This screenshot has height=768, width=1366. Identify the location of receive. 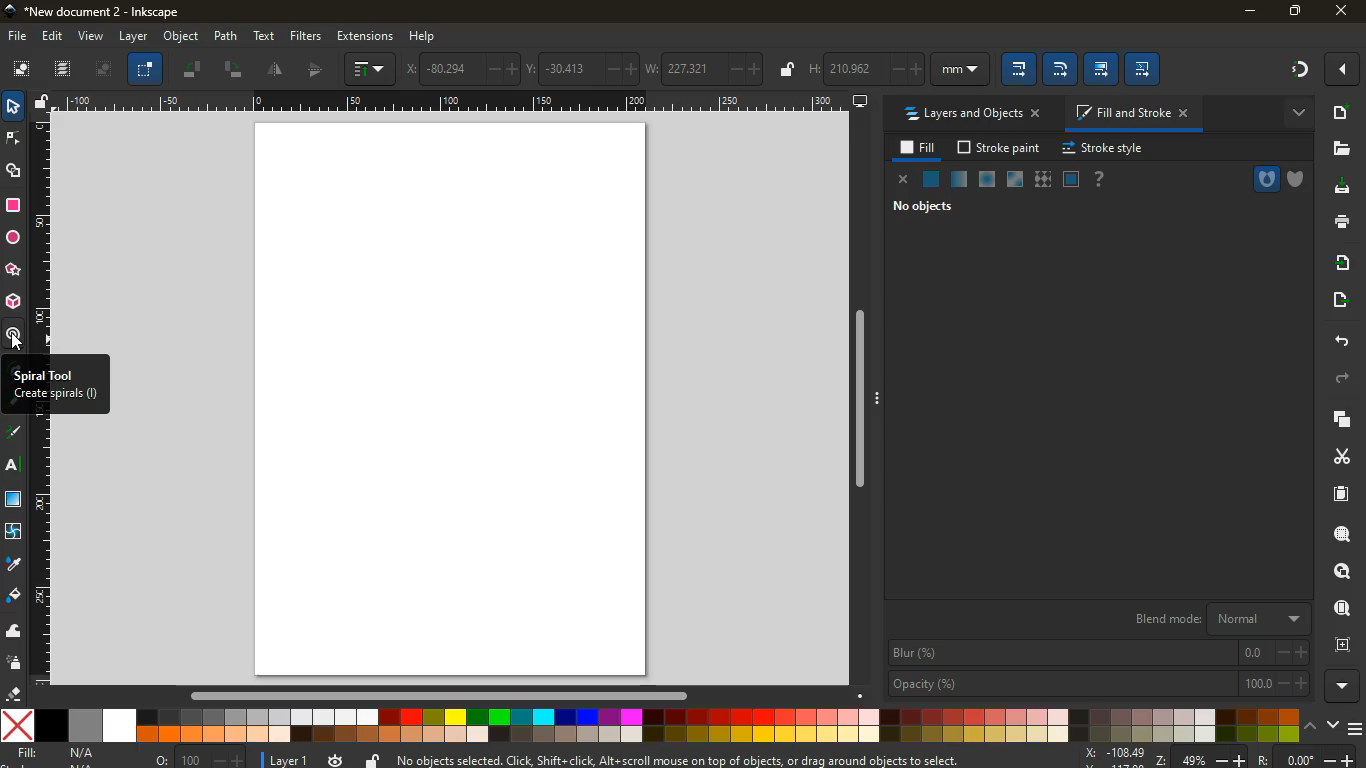
(1340, 264).